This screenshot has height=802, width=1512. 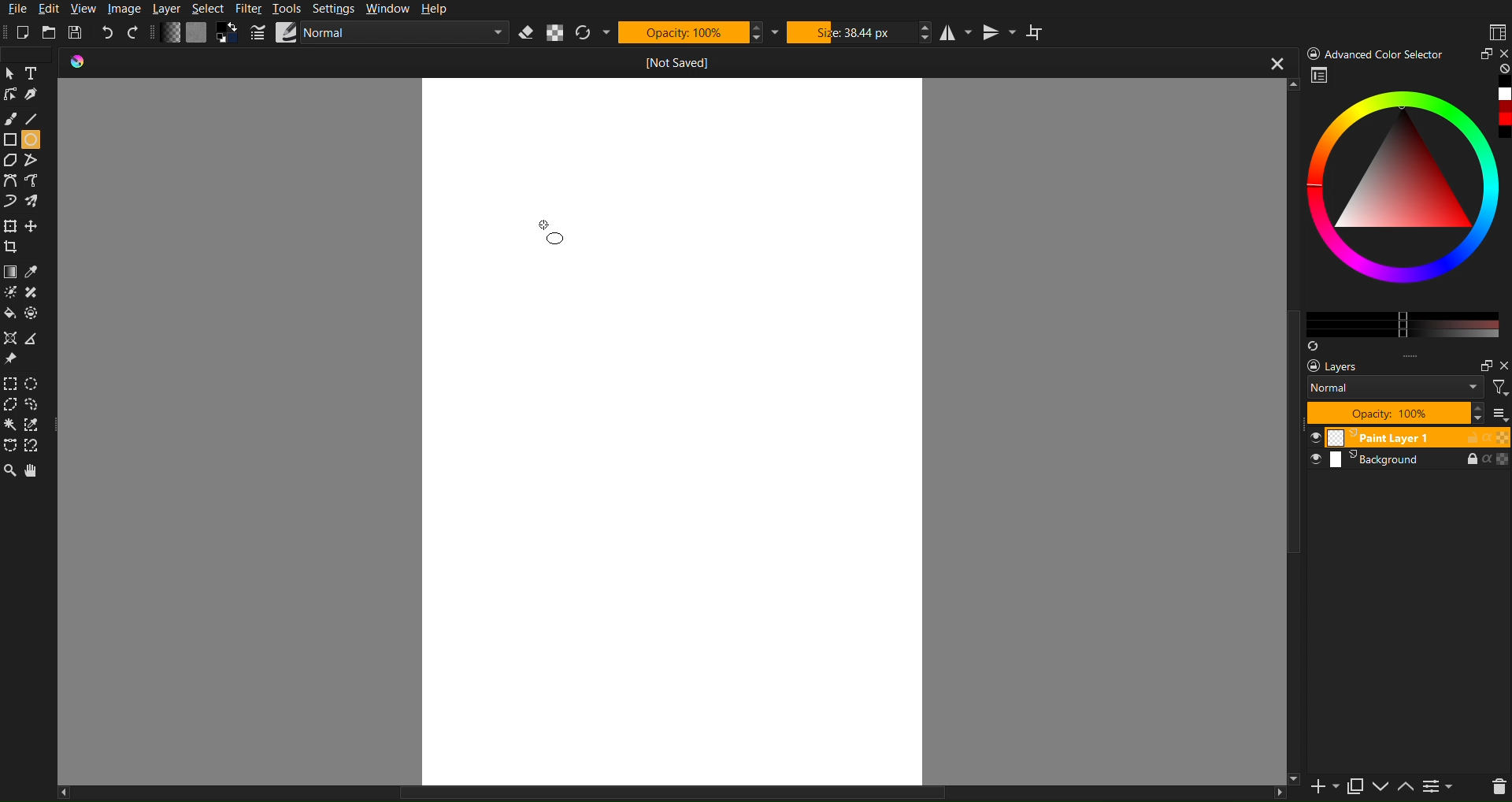 I want to click on Brush Tool, so click(x=10, y=119).